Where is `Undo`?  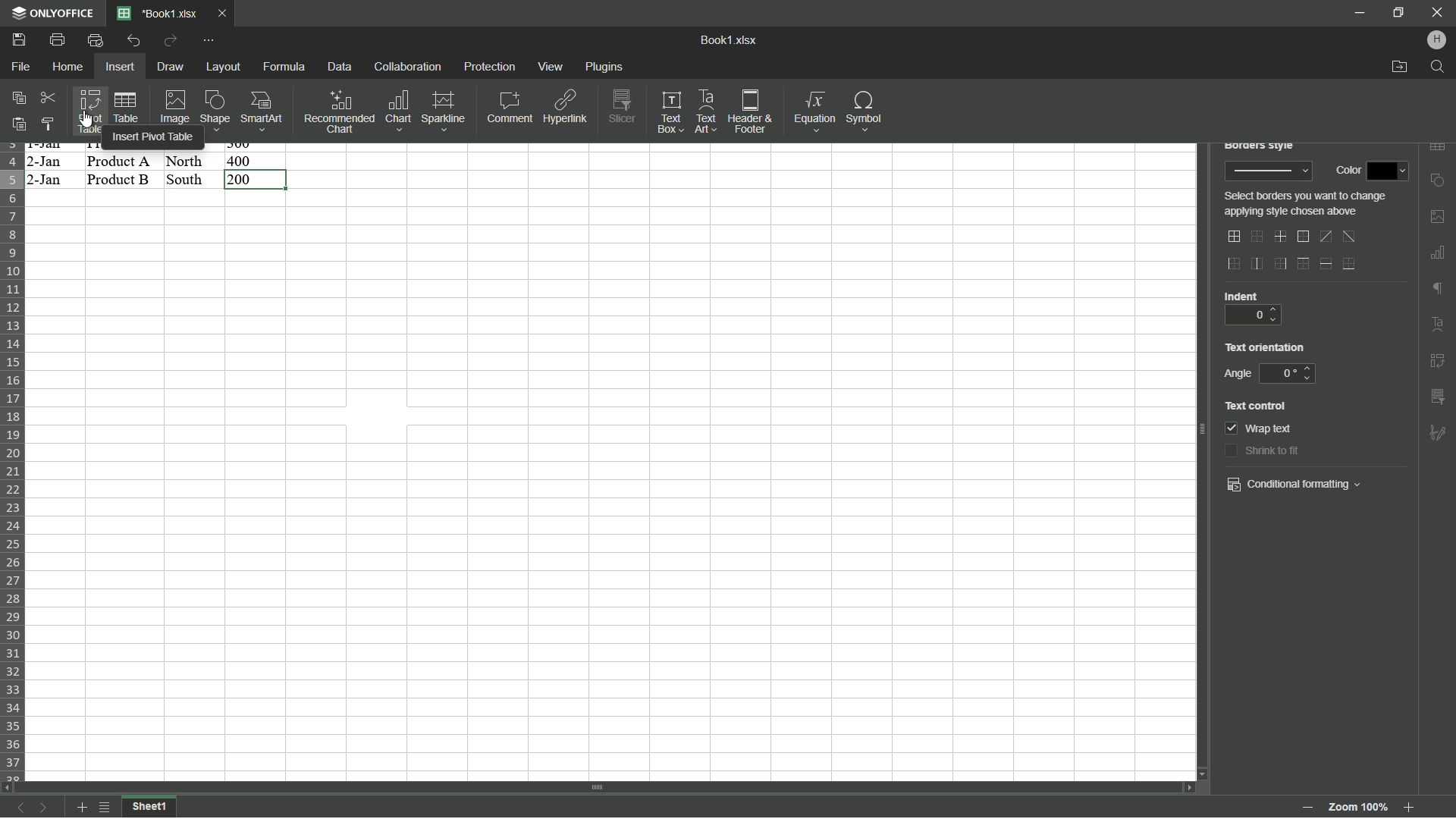 Undo is located at coordinates (135, 40).